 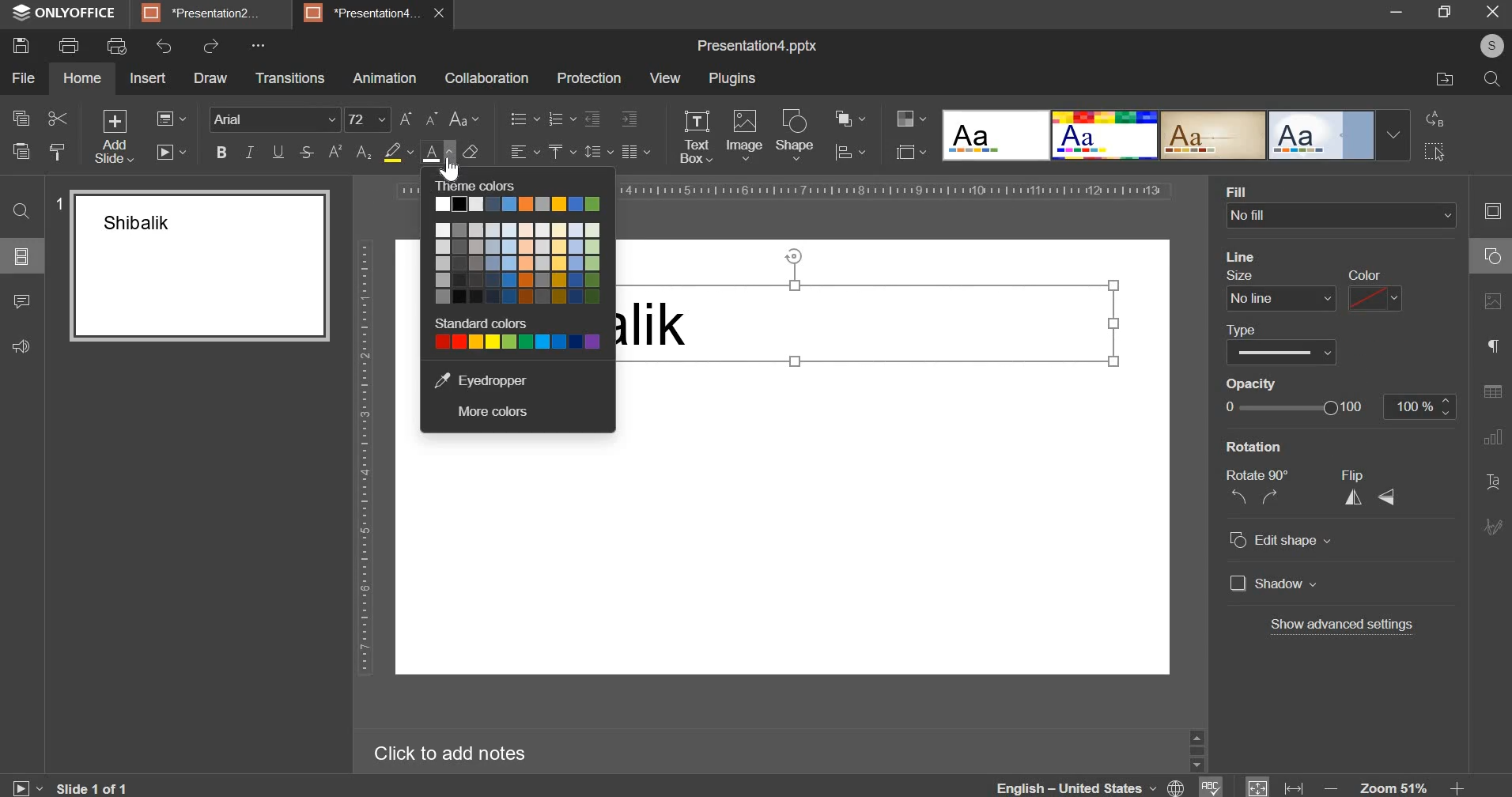 I want to click on Presentation.pptx, so click(x=748, y=44).